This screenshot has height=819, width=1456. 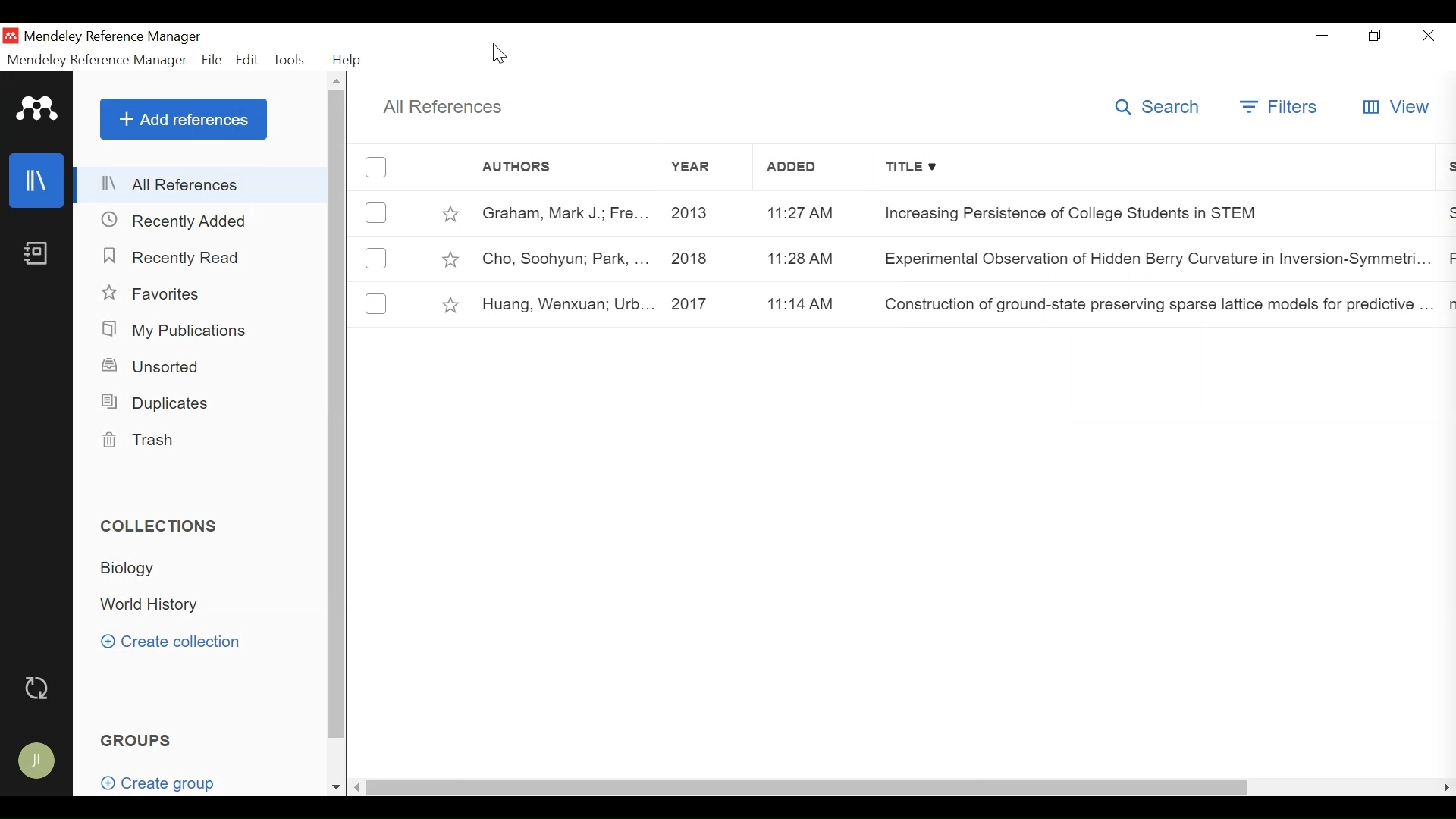 What do you see at coordinates (211, 60) in the screenshot?
I see `File` at bounding box center [211, 60].